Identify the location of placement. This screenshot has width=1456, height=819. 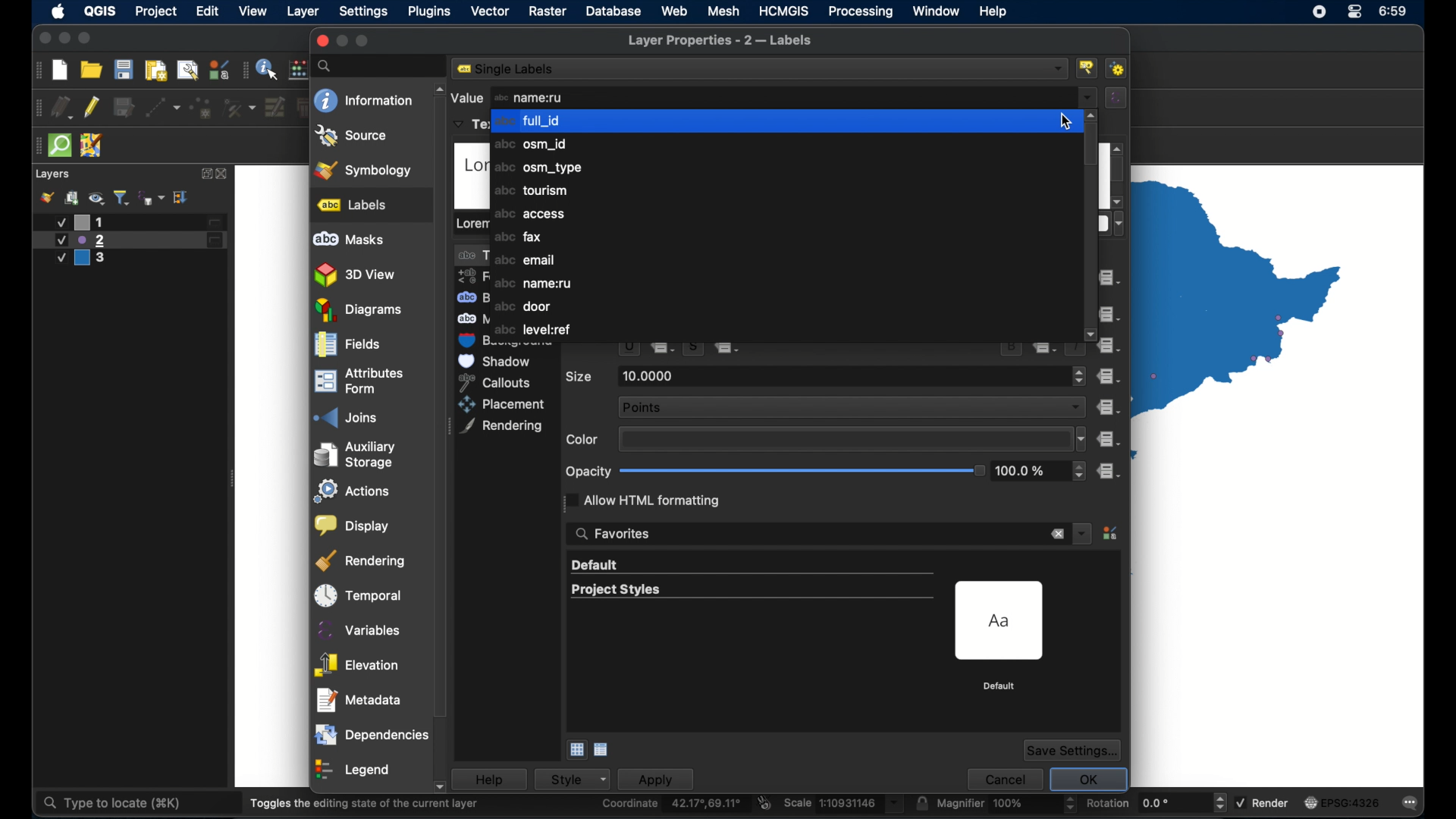
(504, 404).